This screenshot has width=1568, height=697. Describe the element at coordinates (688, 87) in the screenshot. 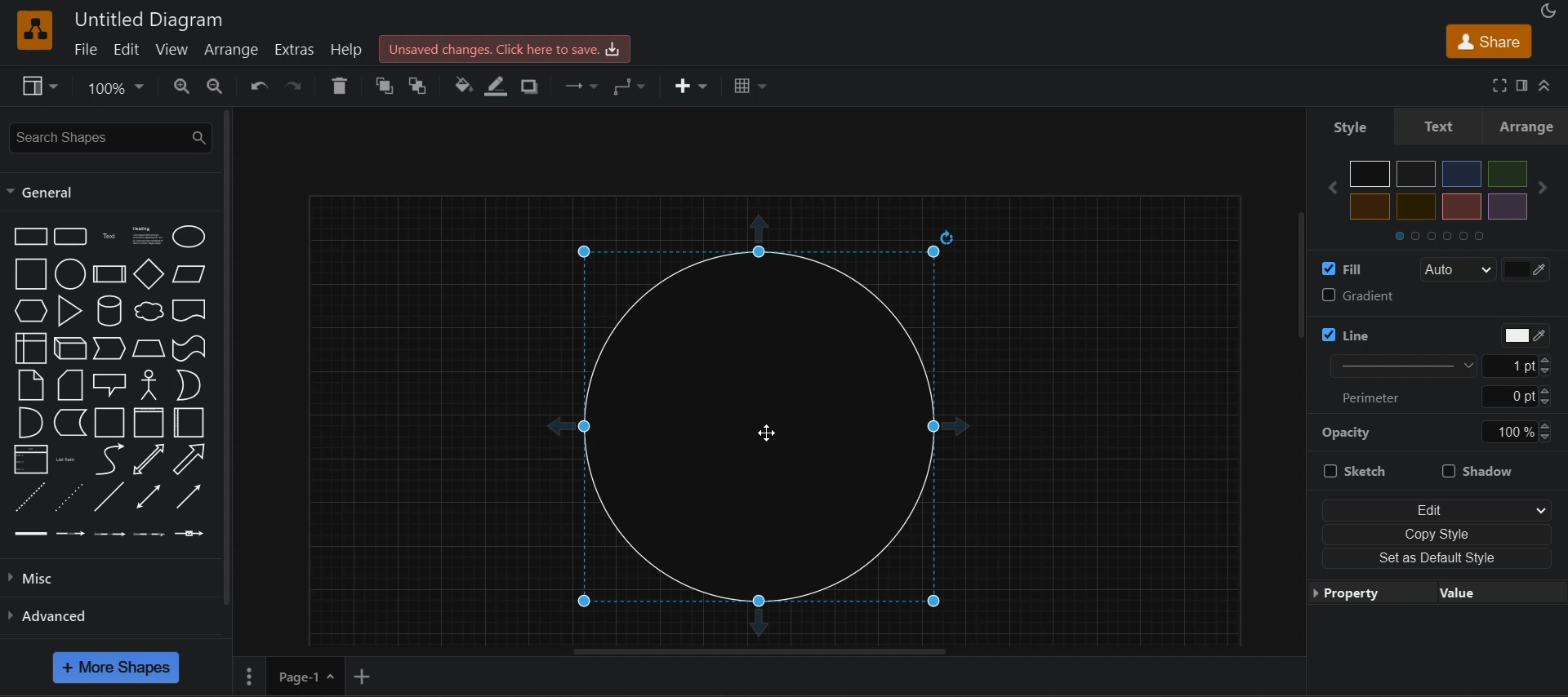

I see `insert` at that location.